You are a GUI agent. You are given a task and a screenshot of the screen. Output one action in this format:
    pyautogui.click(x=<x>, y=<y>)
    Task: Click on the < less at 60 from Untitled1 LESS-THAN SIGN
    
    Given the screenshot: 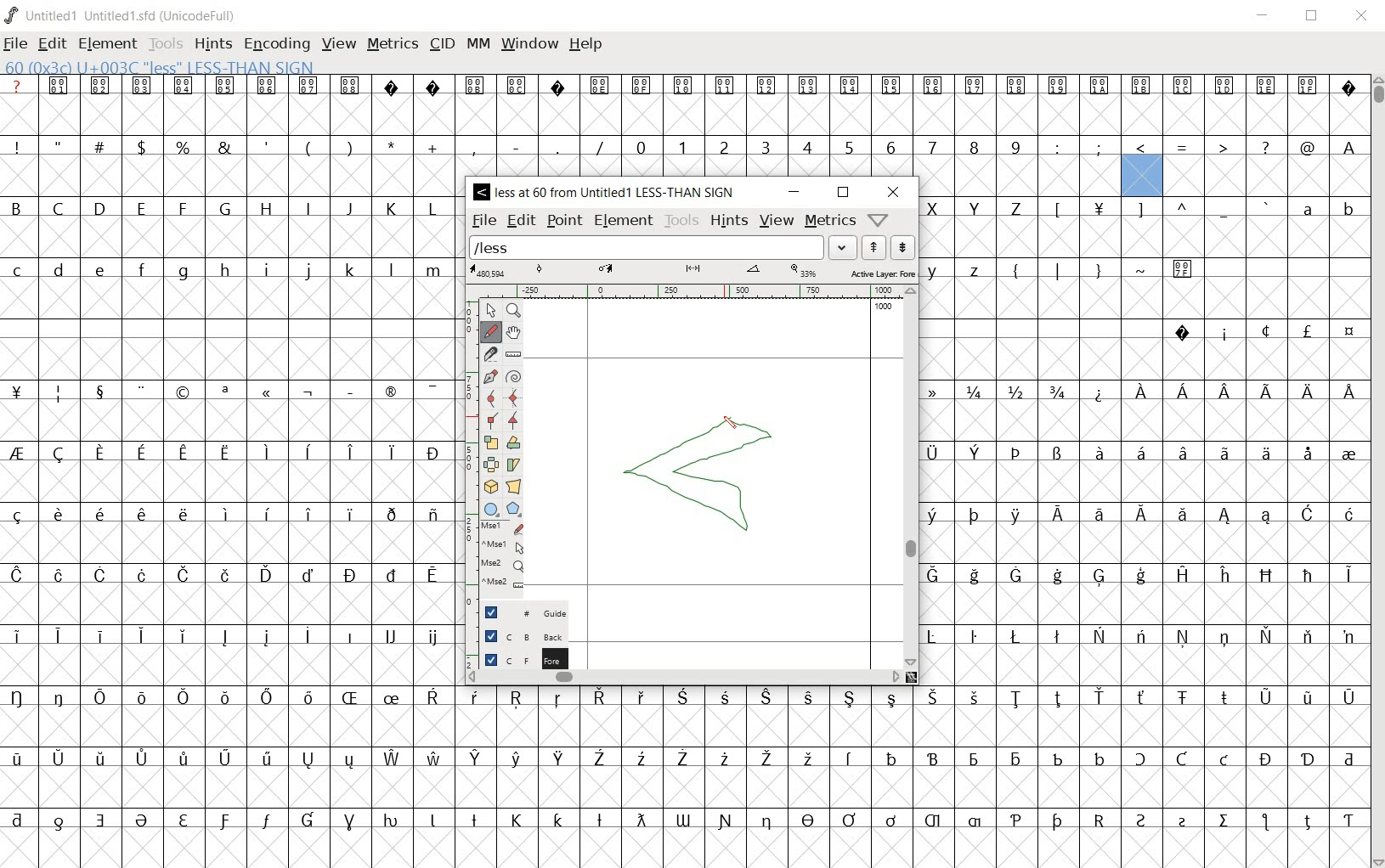 What is the action you would take?
    pyautogui.click(x=608, y=193)
    